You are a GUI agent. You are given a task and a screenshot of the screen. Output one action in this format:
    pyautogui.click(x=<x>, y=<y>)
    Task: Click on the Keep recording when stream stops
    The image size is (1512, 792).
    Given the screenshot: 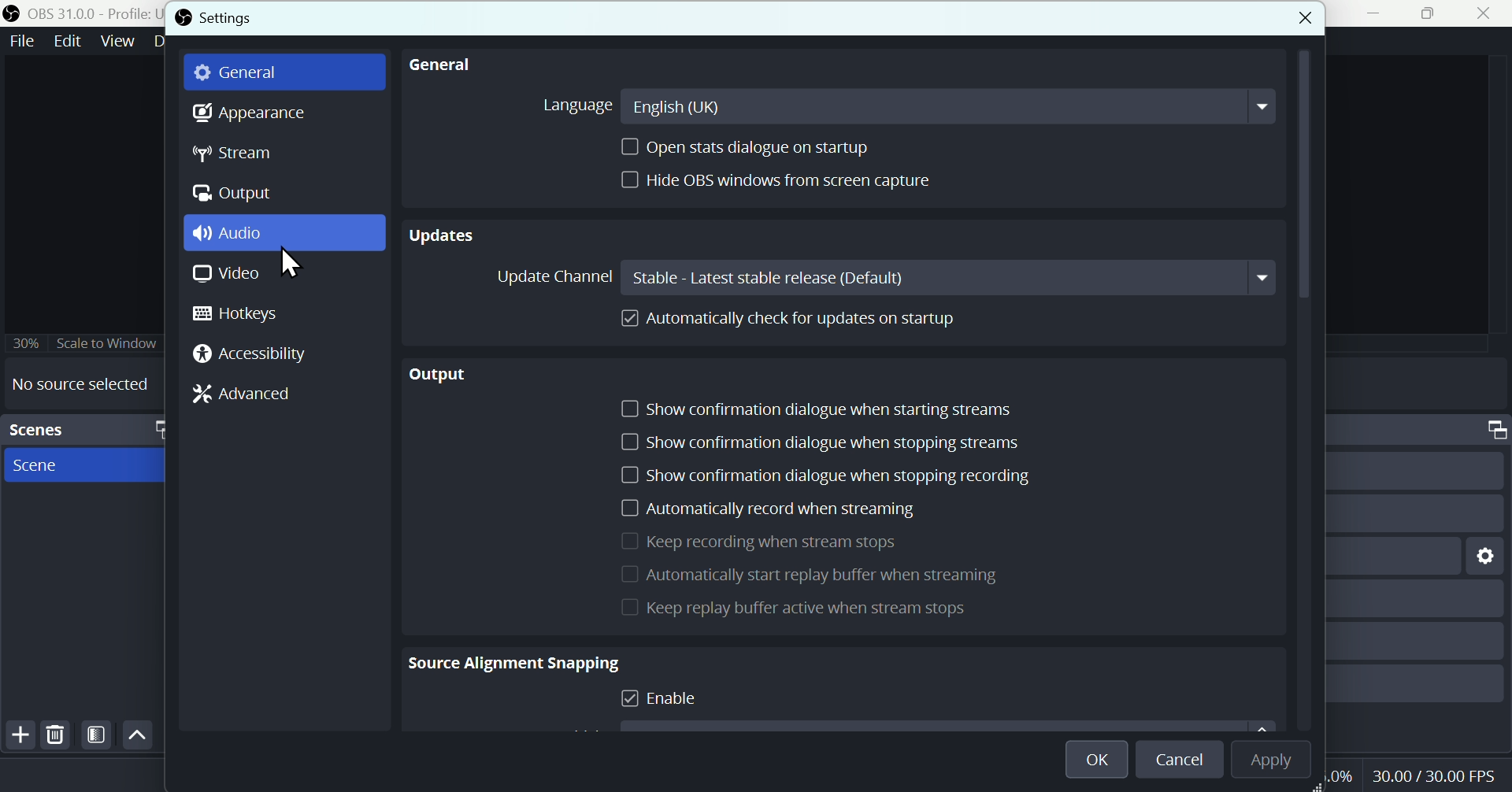 What is the action you would take?
    pyautogui.click(x=768, y=545)
    